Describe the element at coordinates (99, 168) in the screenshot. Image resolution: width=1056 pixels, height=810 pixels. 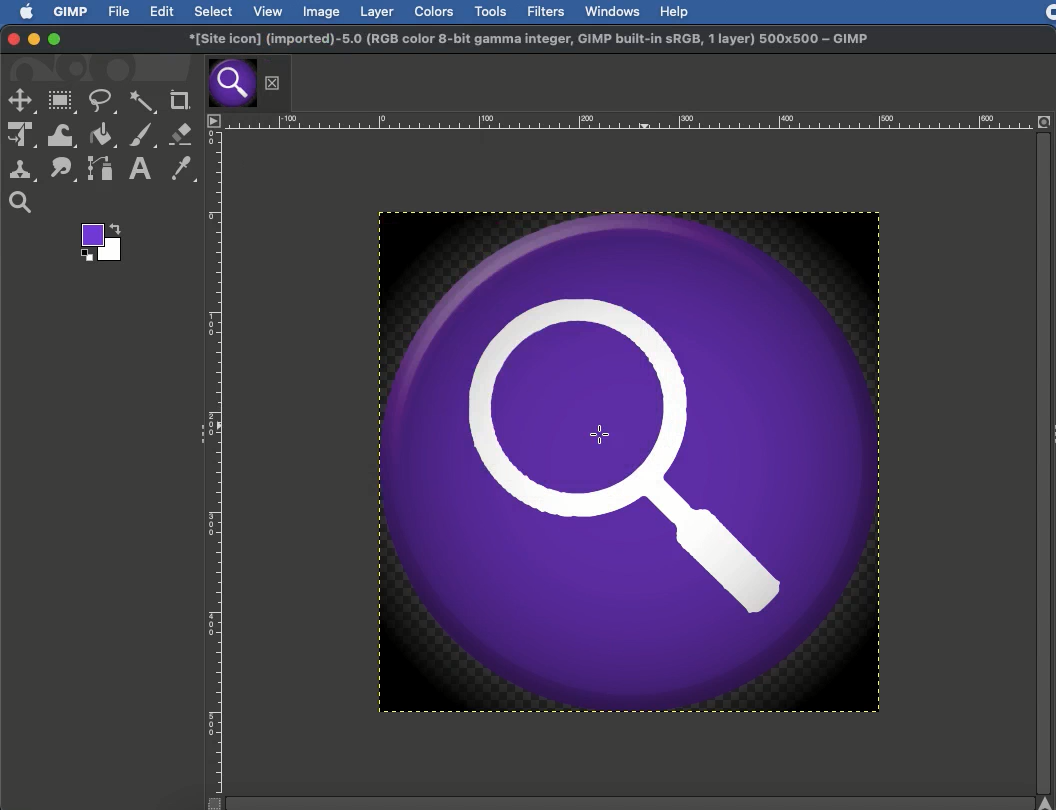
I see `Path` at that location.